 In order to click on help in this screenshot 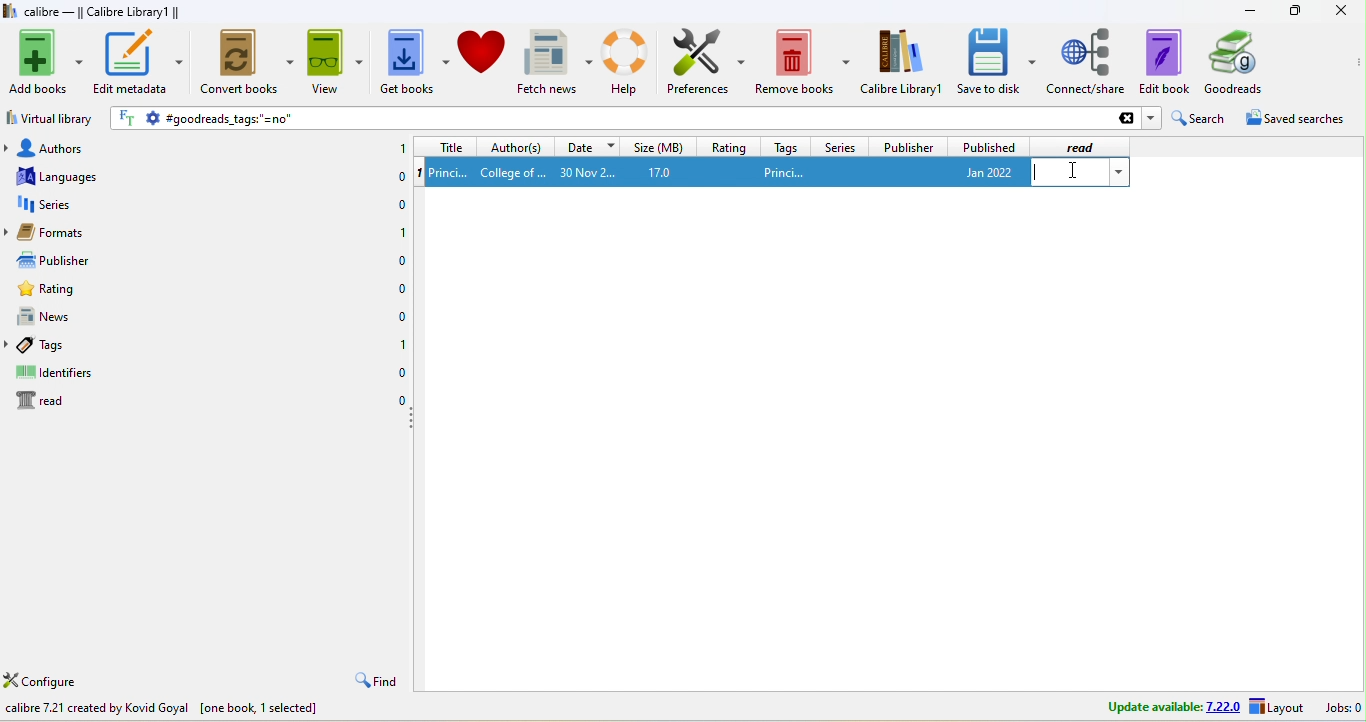, I will do `click(627, 63)`.